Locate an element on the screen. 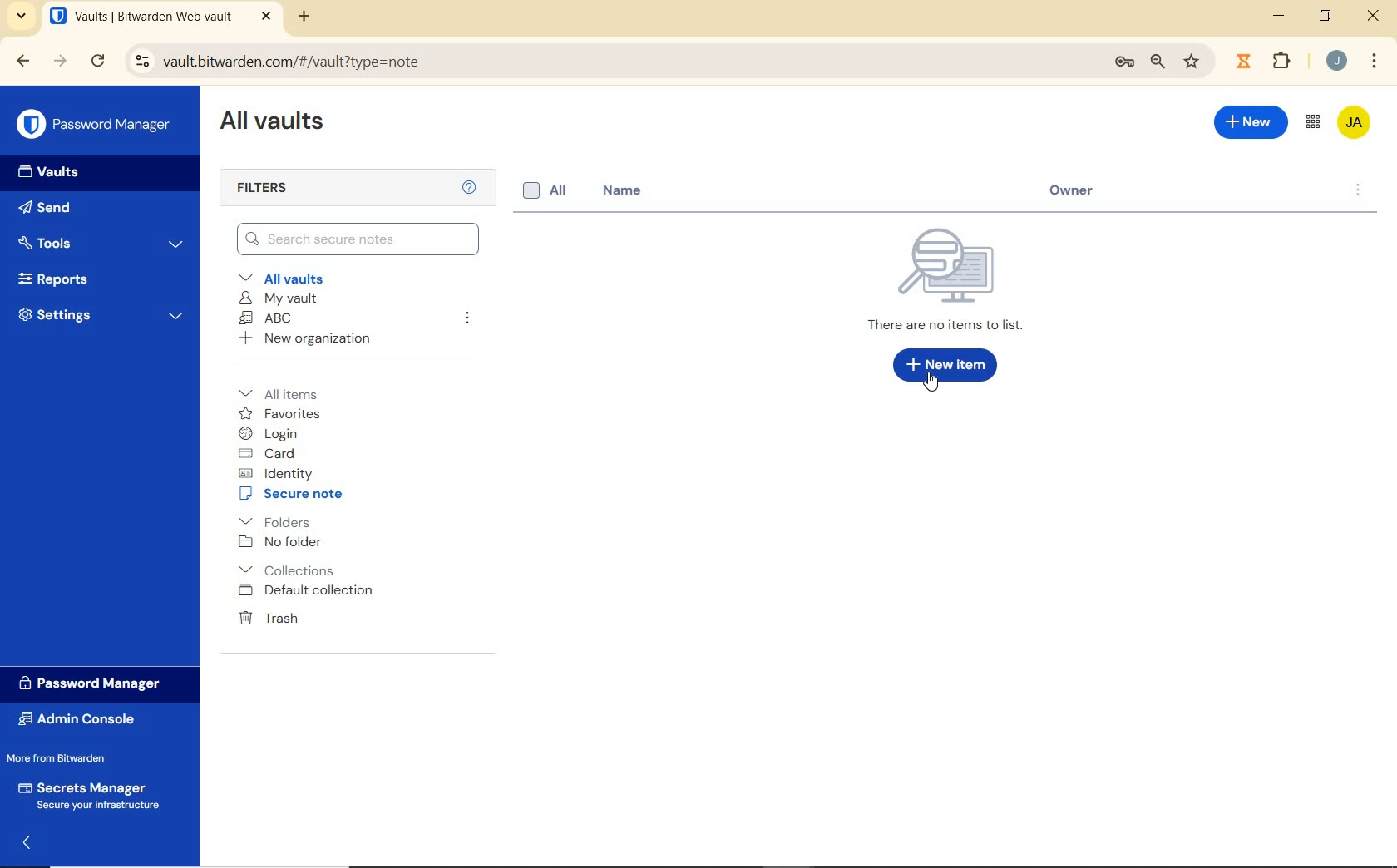 This screenshot has width=1397, height=868. Vaults is located at coordinates (43, 172).